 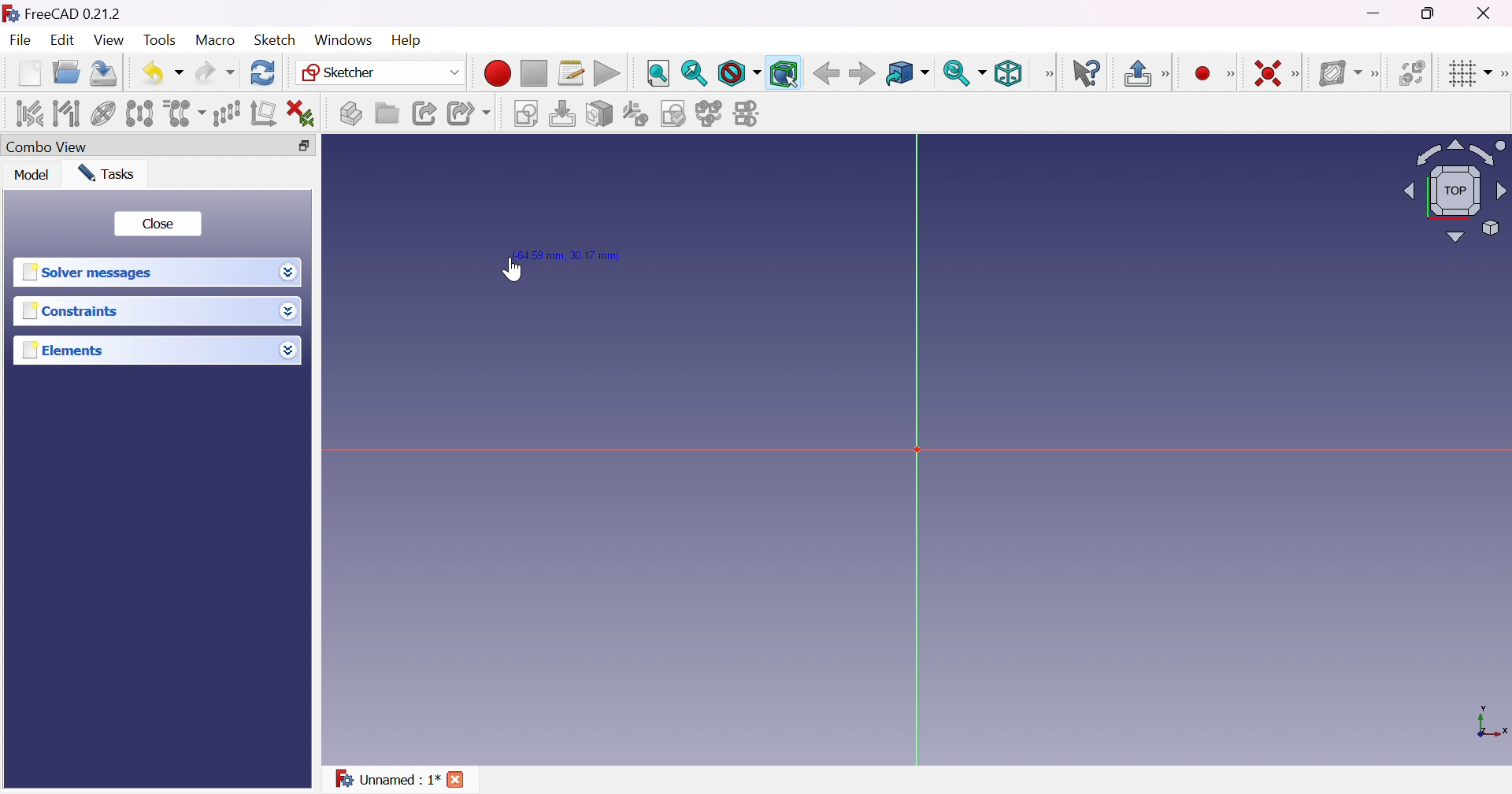 I want to click on Undo, so click(x=163, y=76).